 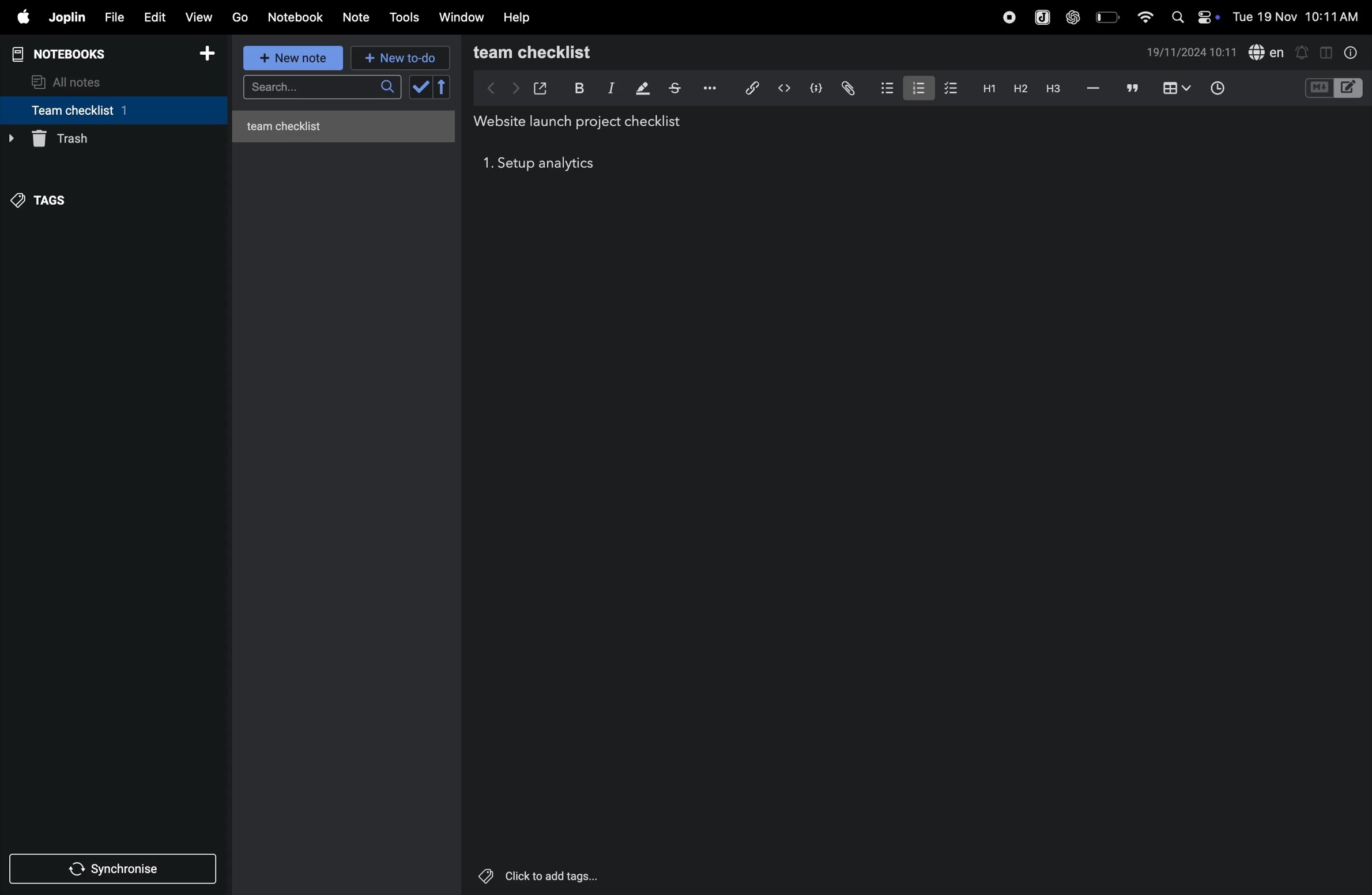 What do you see at coordinates (299, 17) in the screenshot?
I see `Notebook` at bounding box center [299, 17].